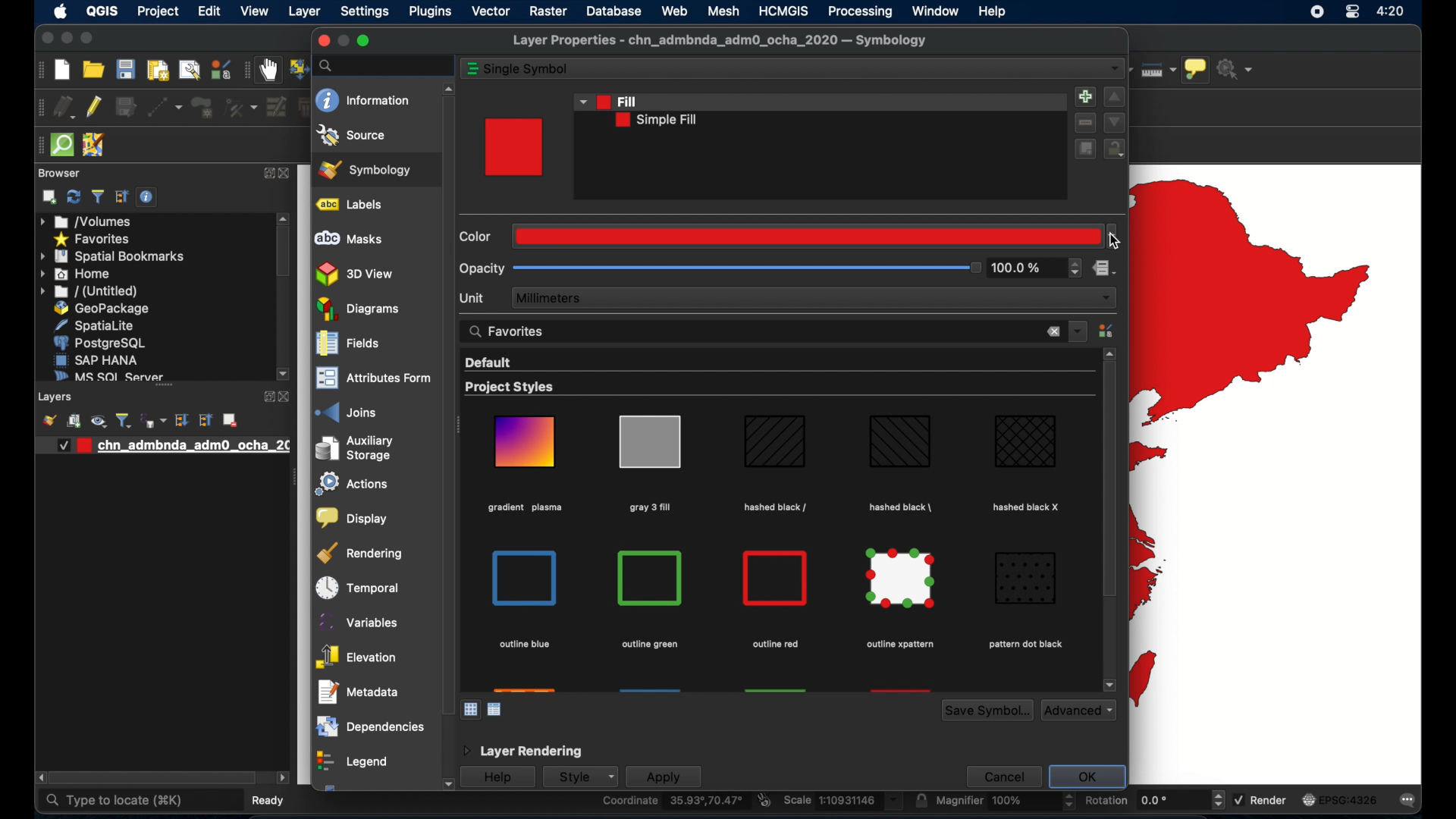  I want to click on icon, so click(472, 69).